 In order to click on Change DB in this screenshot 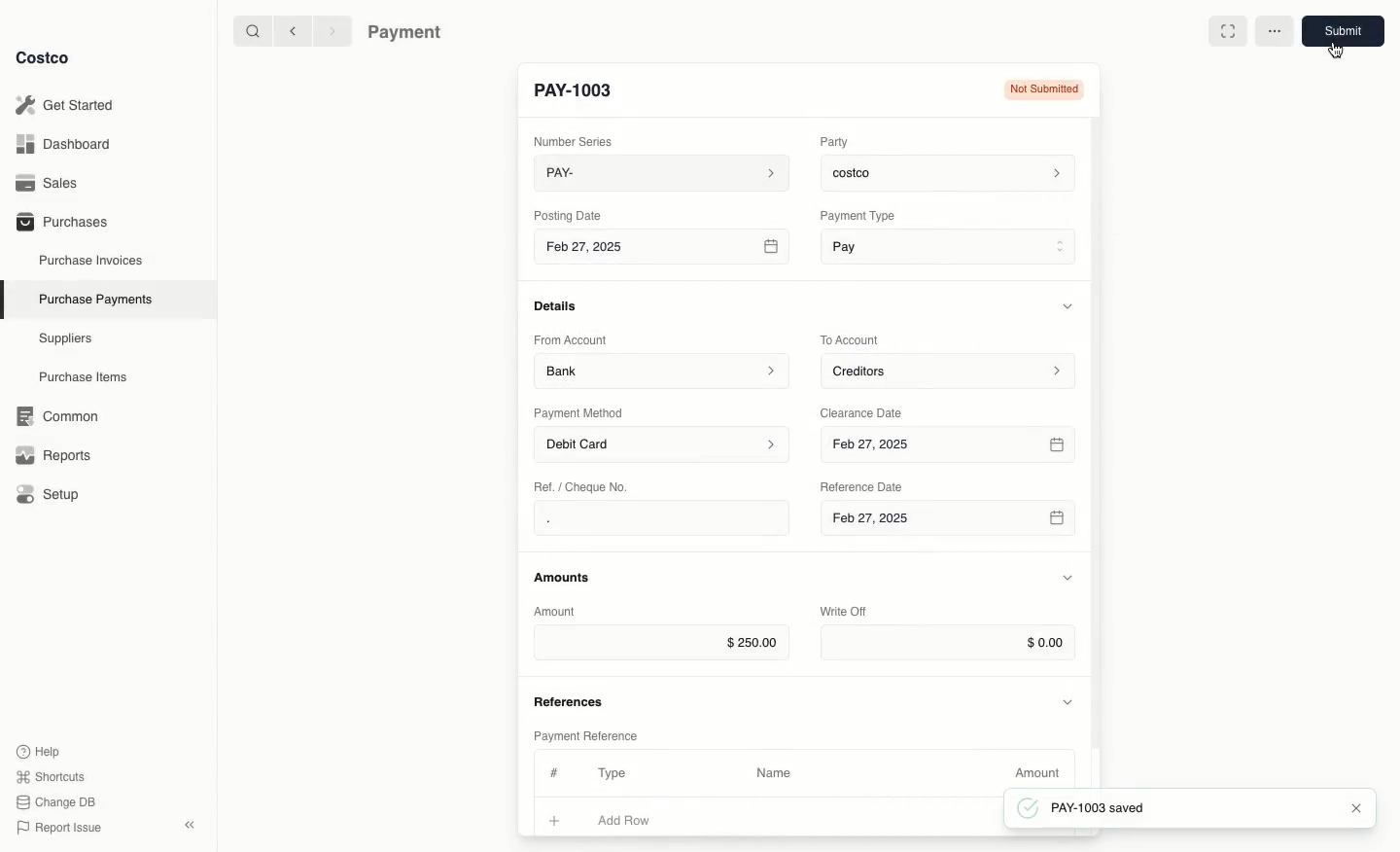, I will do `click(59, 802)`.